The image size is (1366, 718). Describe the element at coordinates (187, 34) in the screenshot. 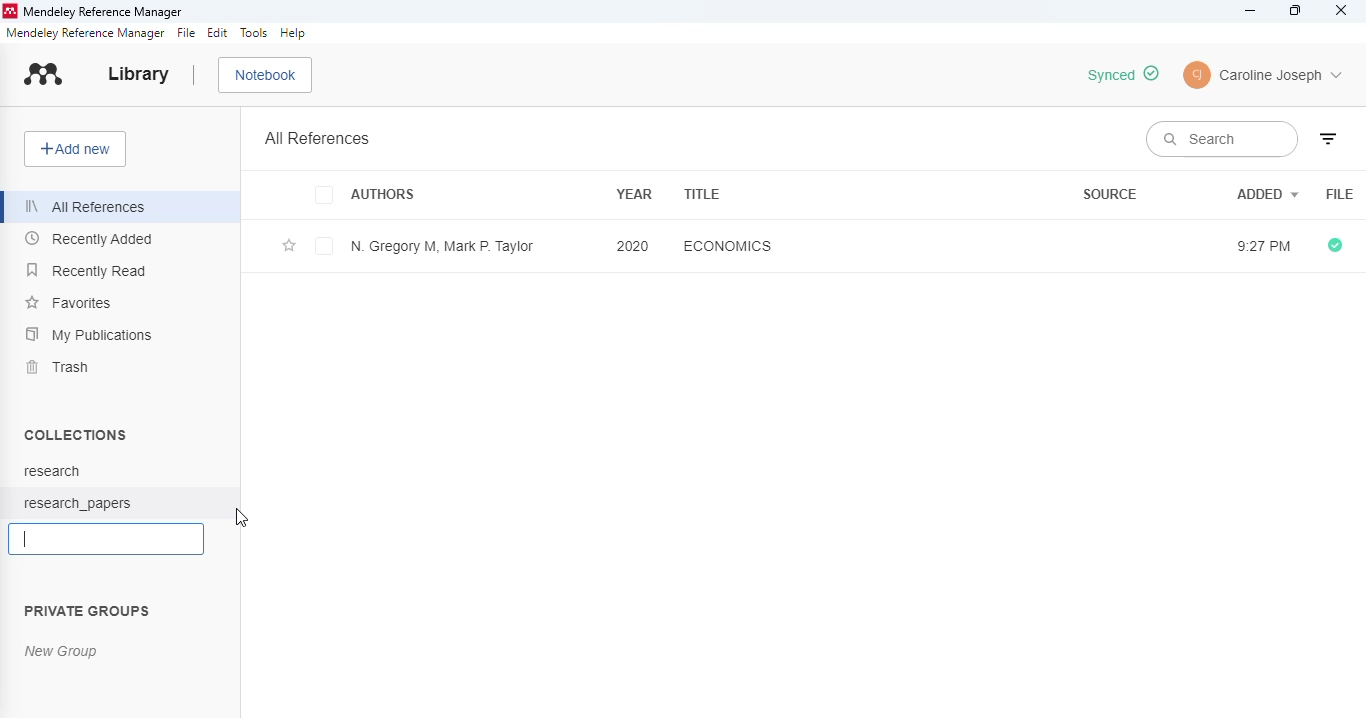

I see `file` at that location.